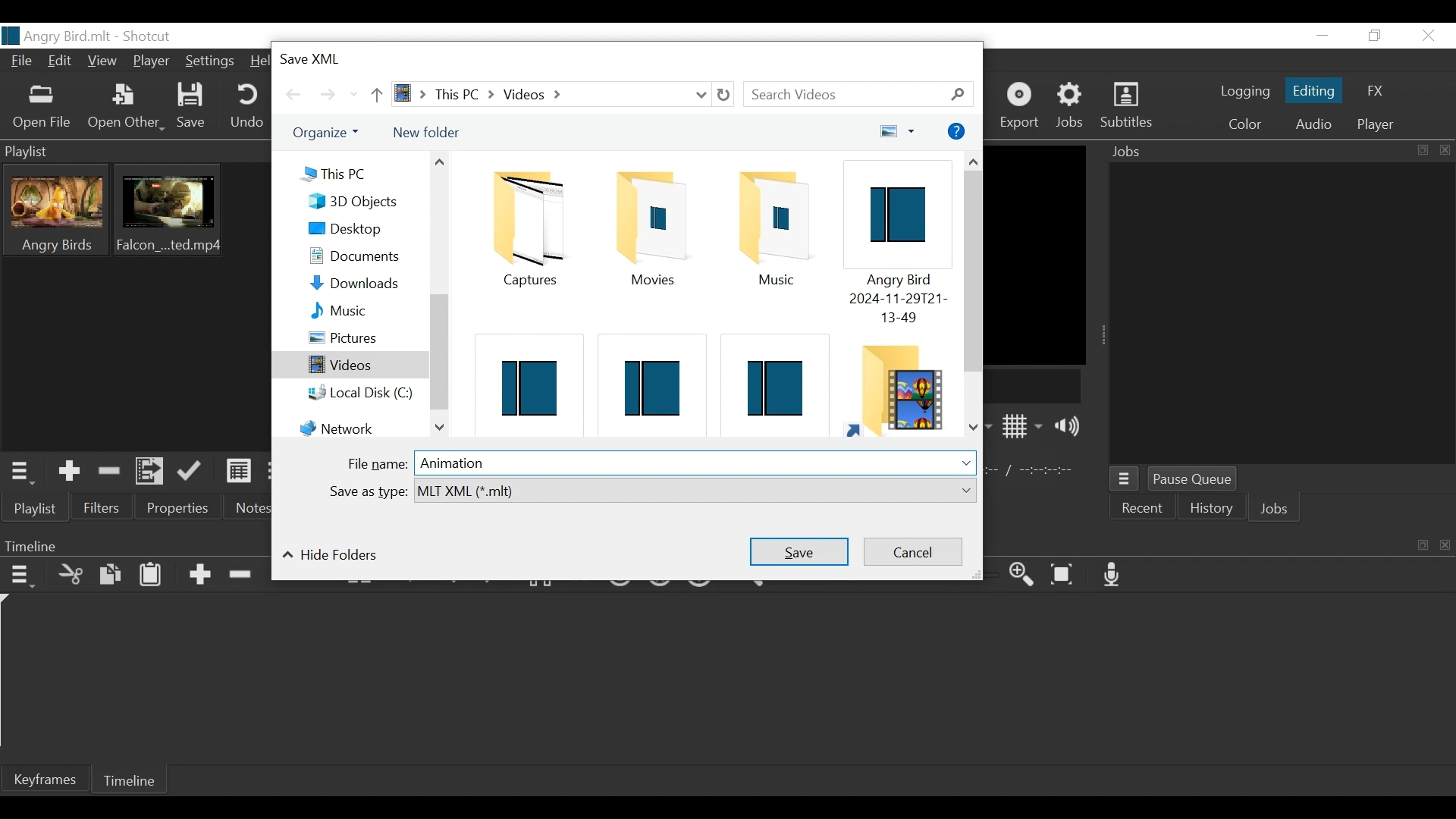 Image resolution: width=1456 pixels, height=819 pixels. I want to click on 3D Objects, so click(362, 202).